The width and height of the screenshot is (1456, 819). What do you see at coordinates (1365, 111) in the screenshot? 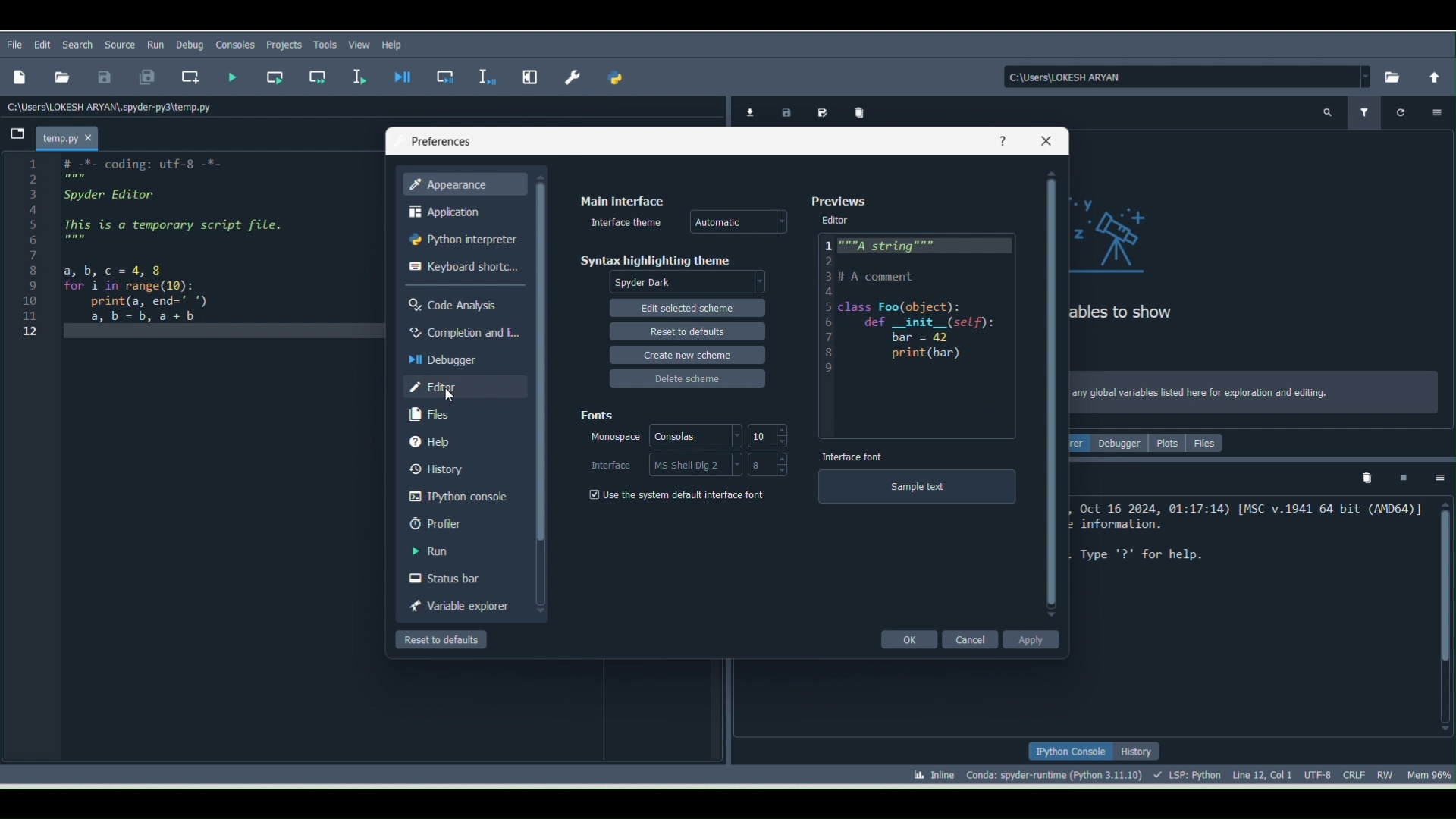
I see `Filter variables` at bounding box center [1365, 111].